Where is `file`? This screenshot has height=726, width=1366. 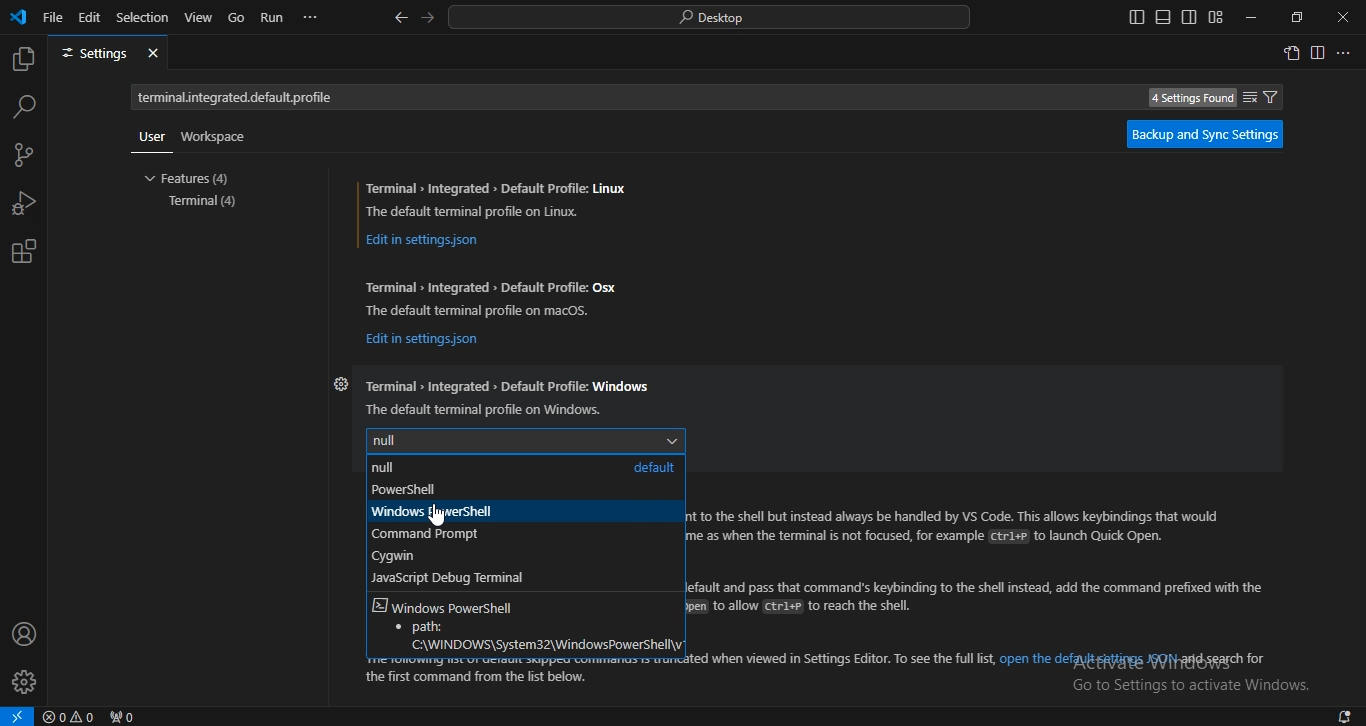
file is located at coordinates (54, 21).